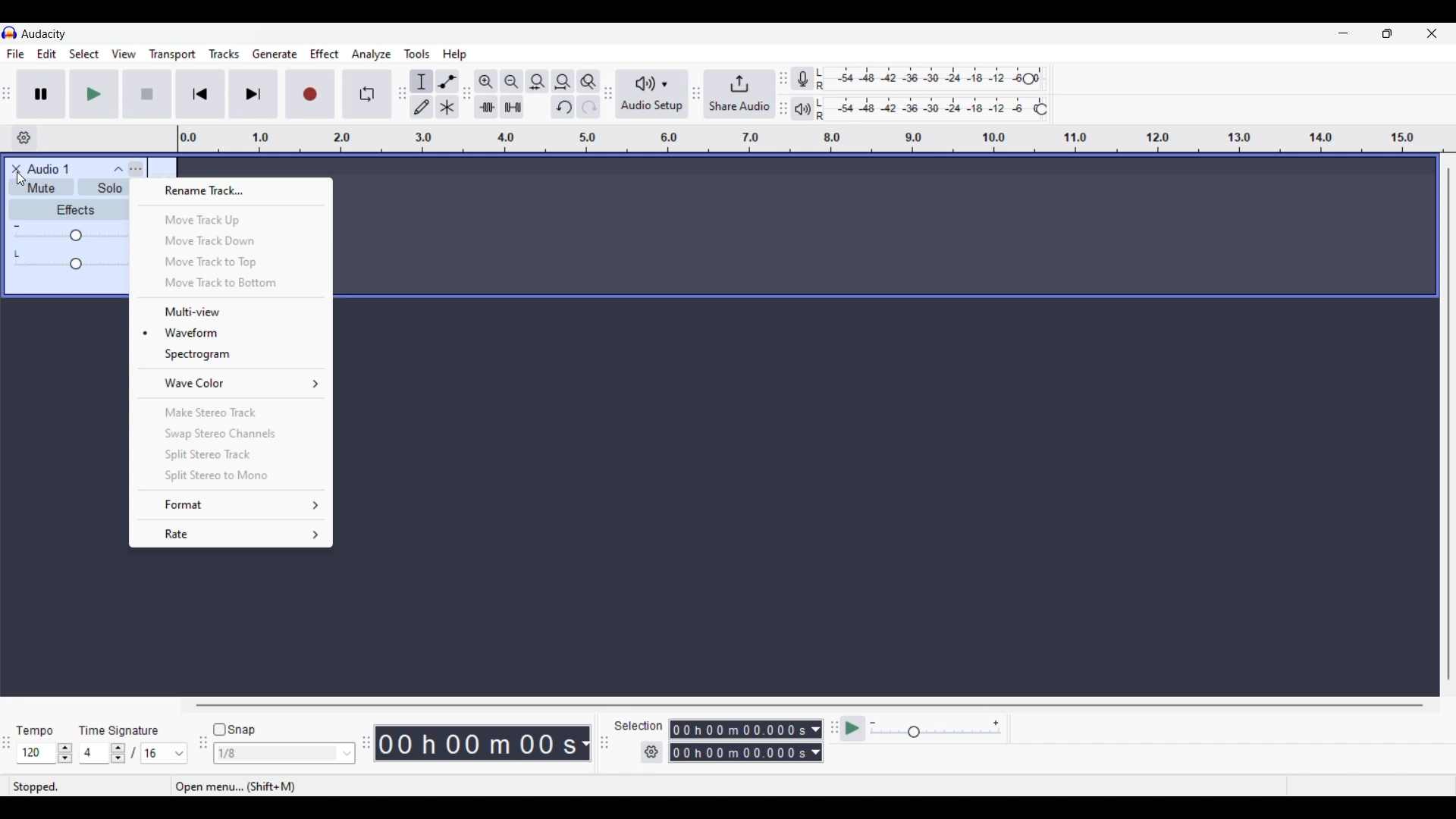 This screenshot has width=1456, height=819. Describe the element at coordinates (637, 726) in the screenshot. I see `Selection` at that location.